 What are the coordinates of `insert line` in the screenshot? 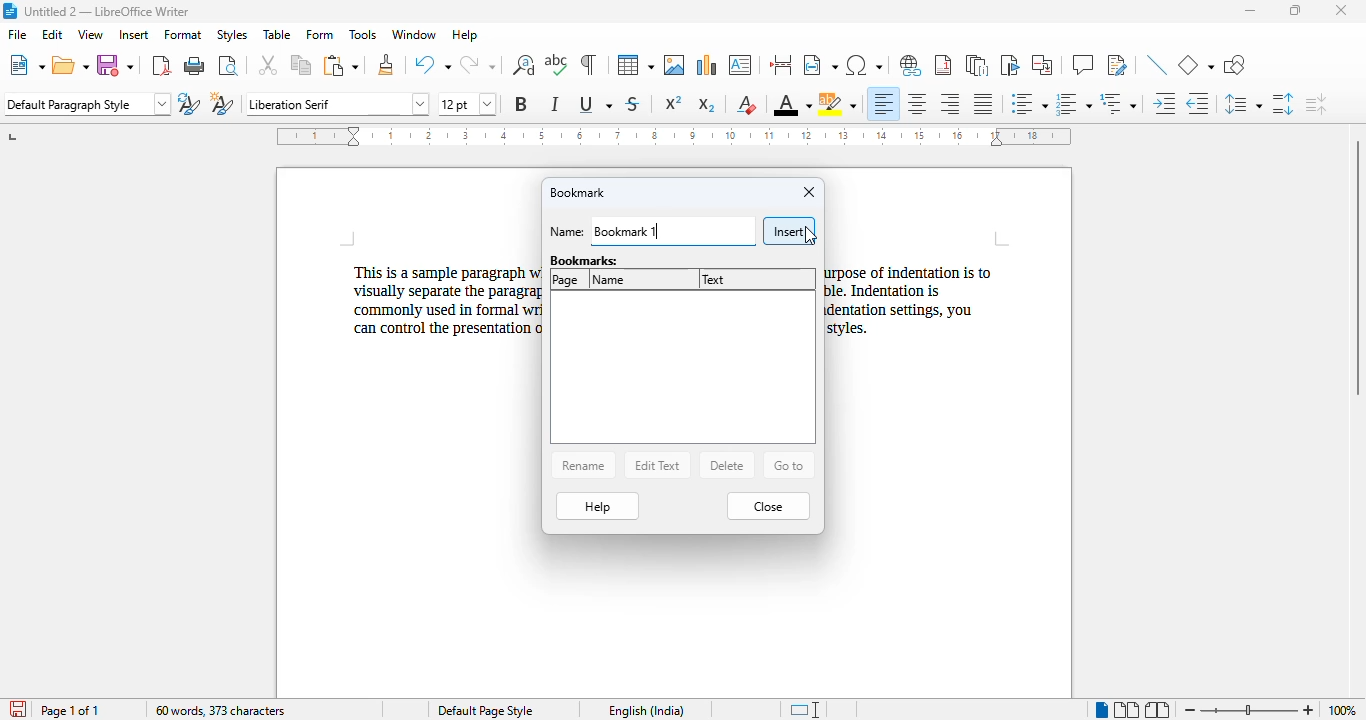 It's located at (1157, 64).